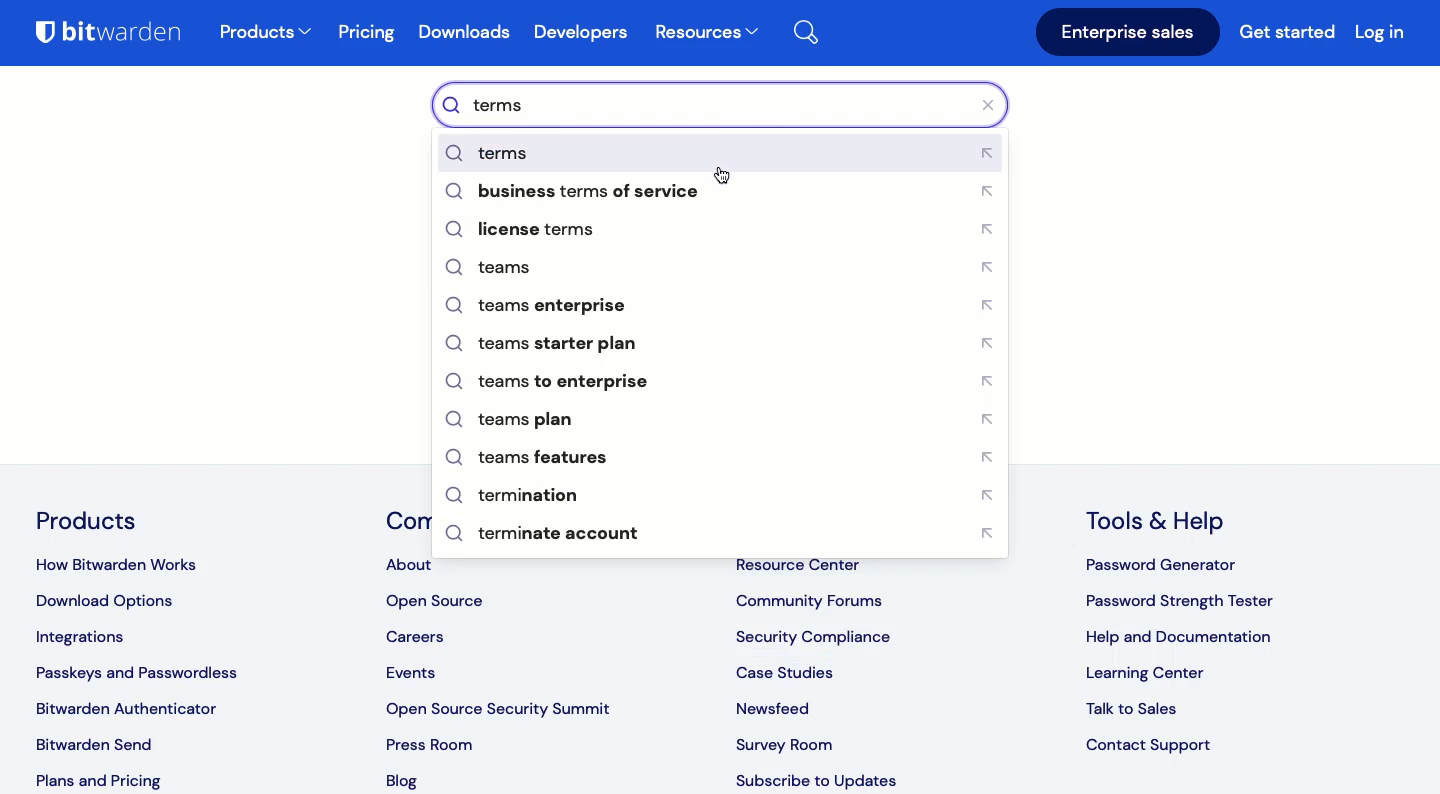 The width and height of the screenshot is (1440, 794). What do you see at coordinates (428, 743) in the screenshot?
I see `press room` at bounding box center [428, 743].